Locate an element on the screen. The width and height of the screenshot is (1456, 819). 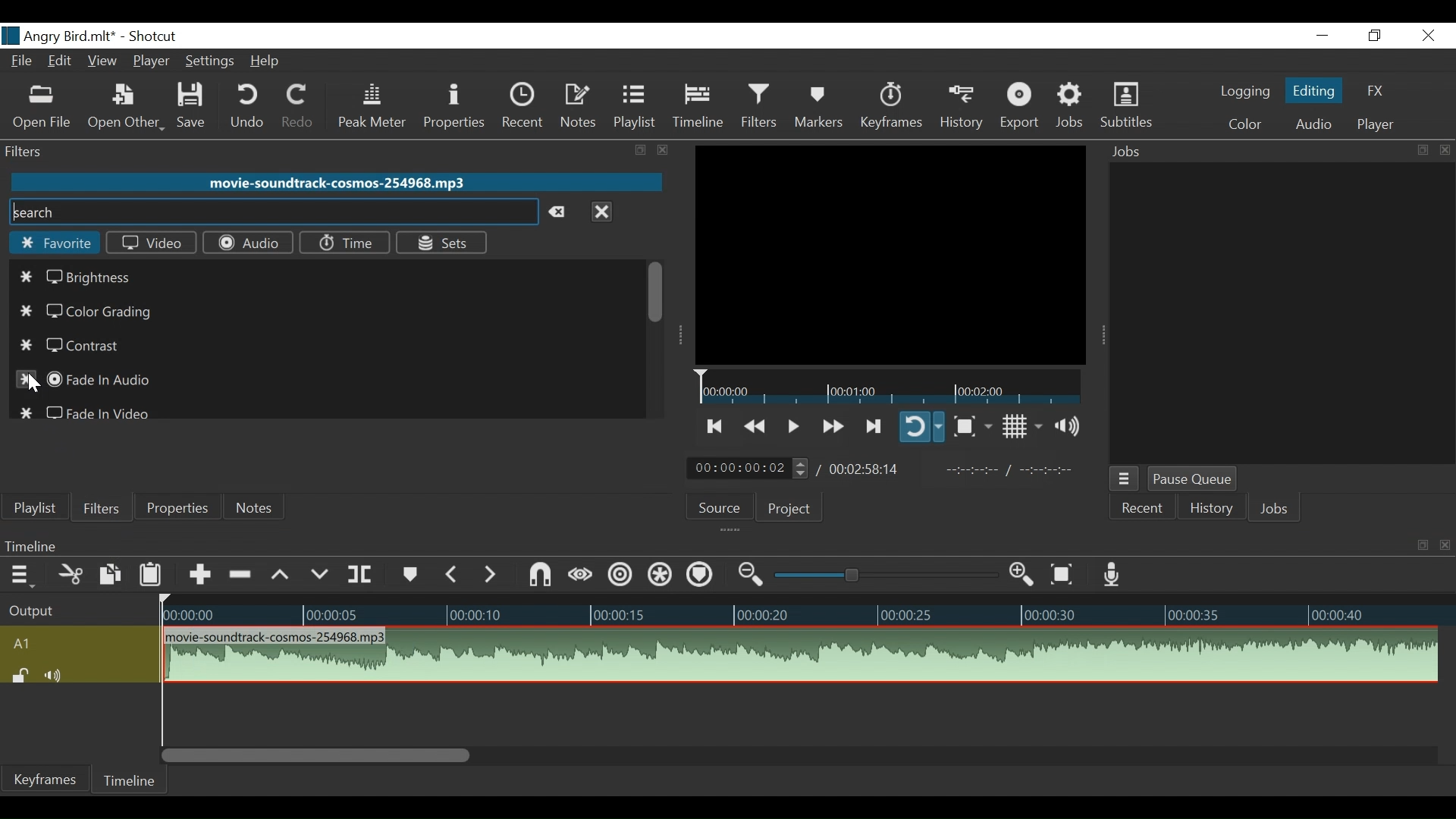
A1 is located at coordinates (77, 642).